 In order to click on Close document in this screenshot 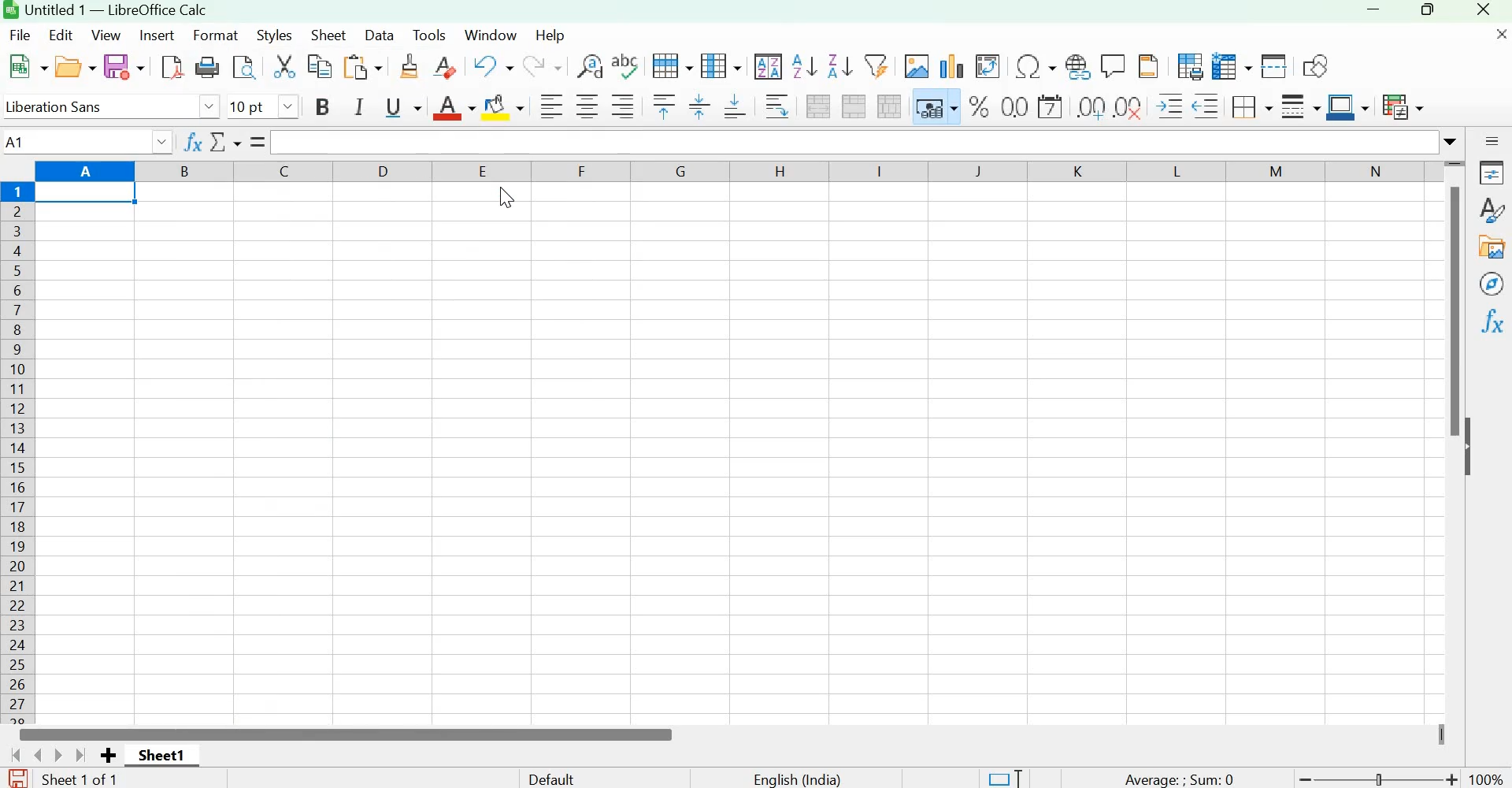, I will do `click(1499, 36)`.